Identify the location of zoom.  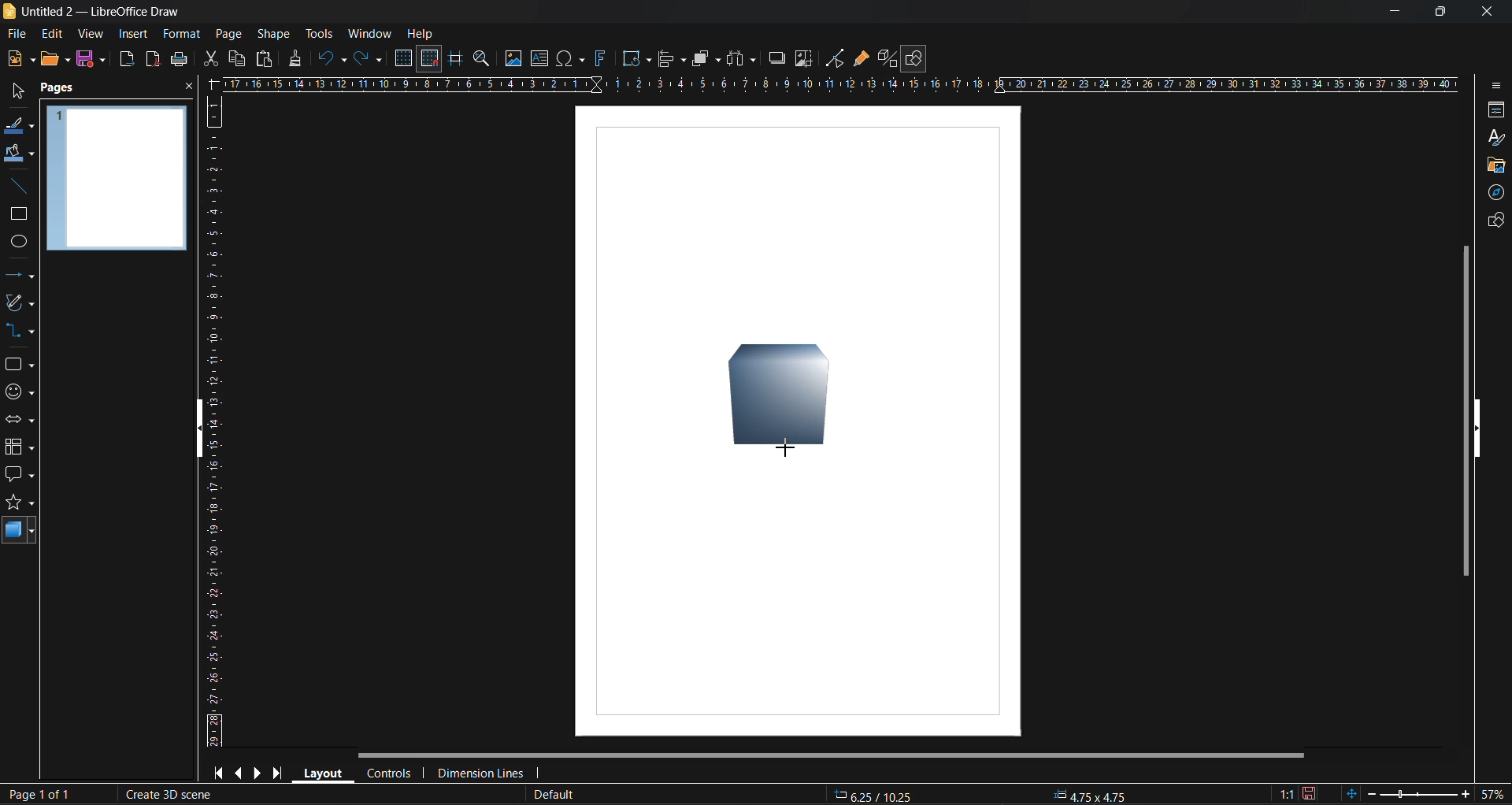
(485, 61).